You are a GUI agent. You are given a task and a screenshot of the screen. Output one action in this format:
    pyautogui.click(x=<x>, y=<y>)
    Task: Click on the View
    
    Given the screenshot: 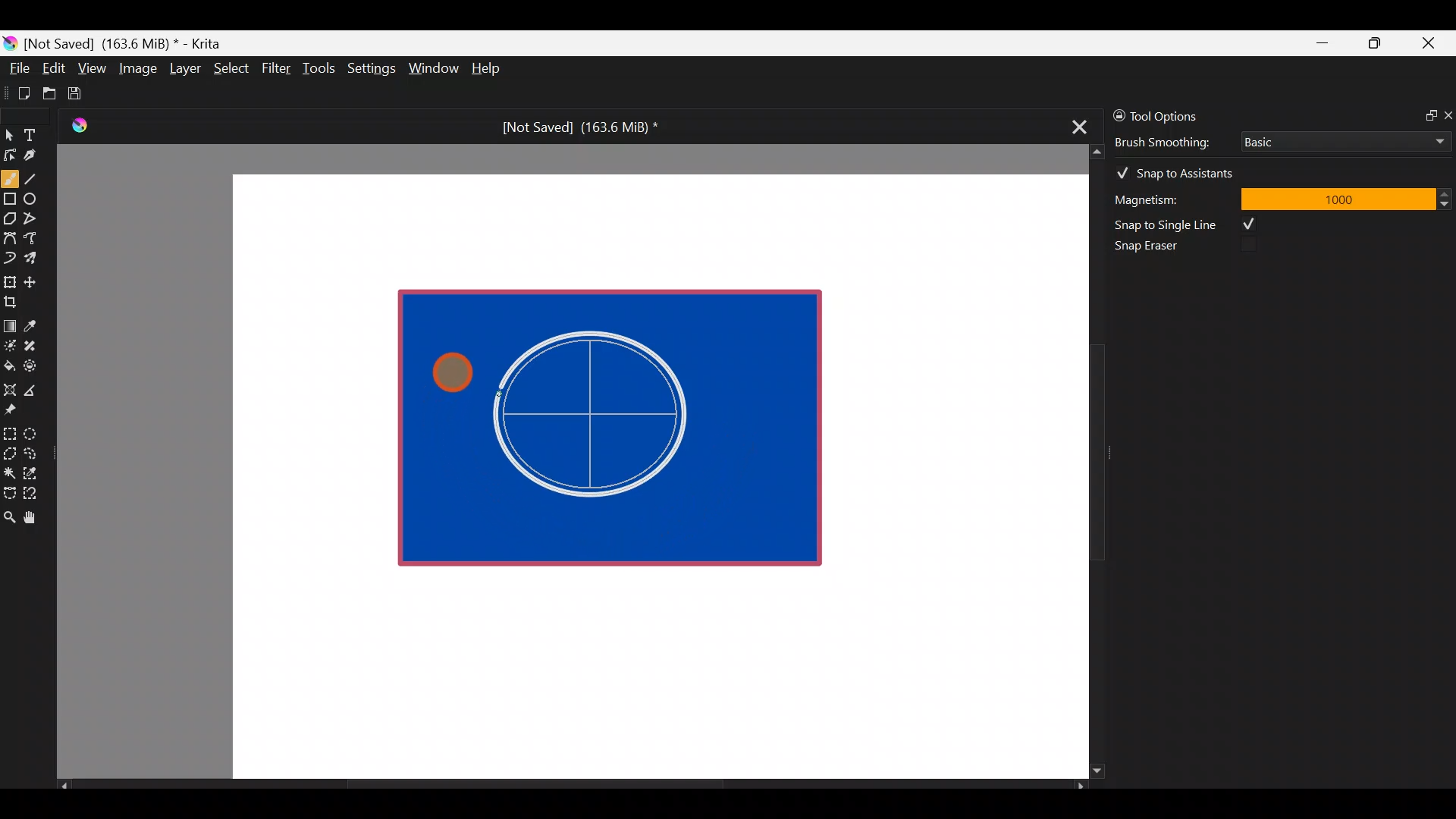 What is the action you would take?
    pyautogui.click(x=93, y=68)
    